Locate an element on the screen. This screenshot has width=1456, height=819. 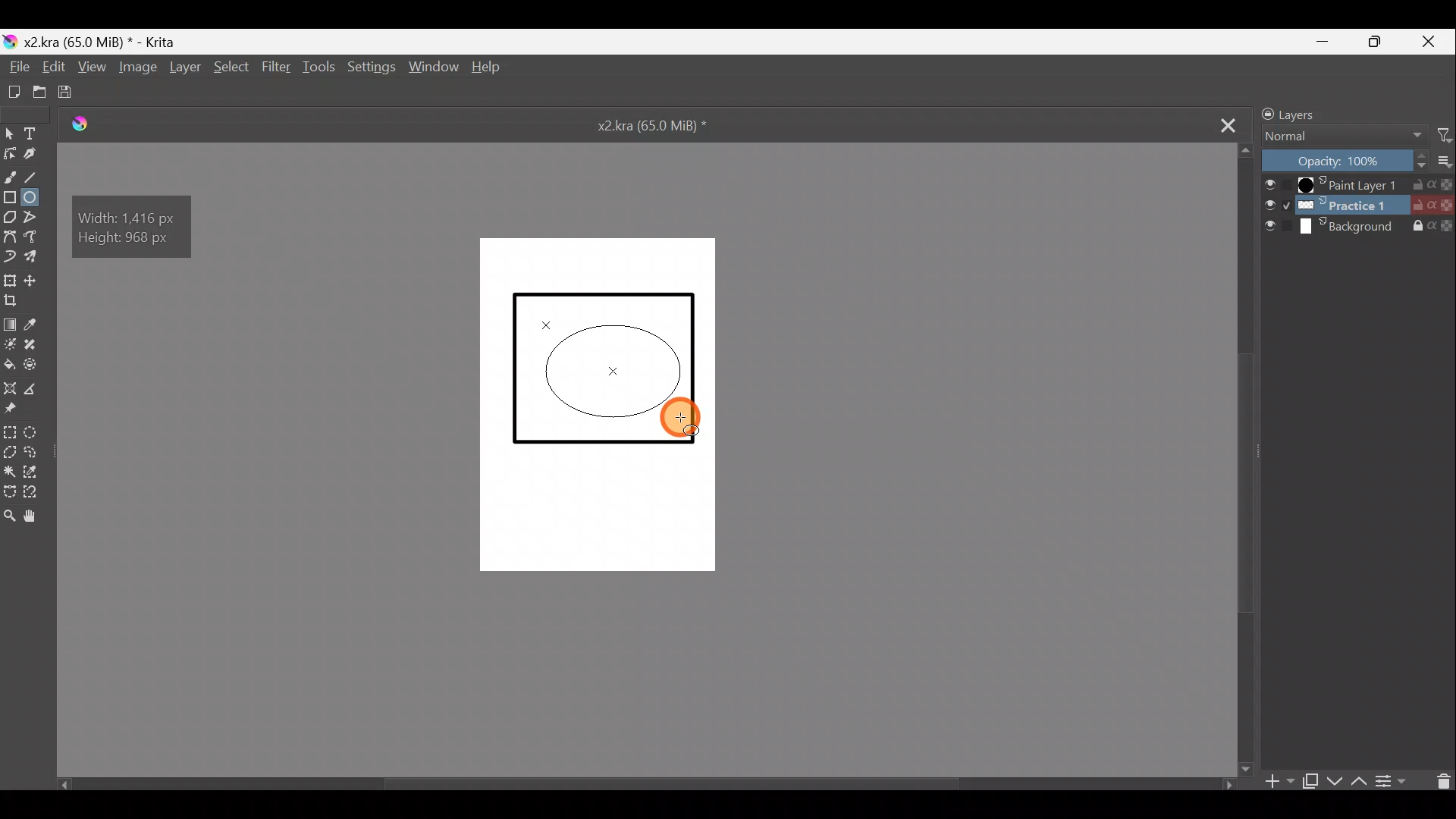
Paint Layer 1 is located at coordinates (1358, 184).